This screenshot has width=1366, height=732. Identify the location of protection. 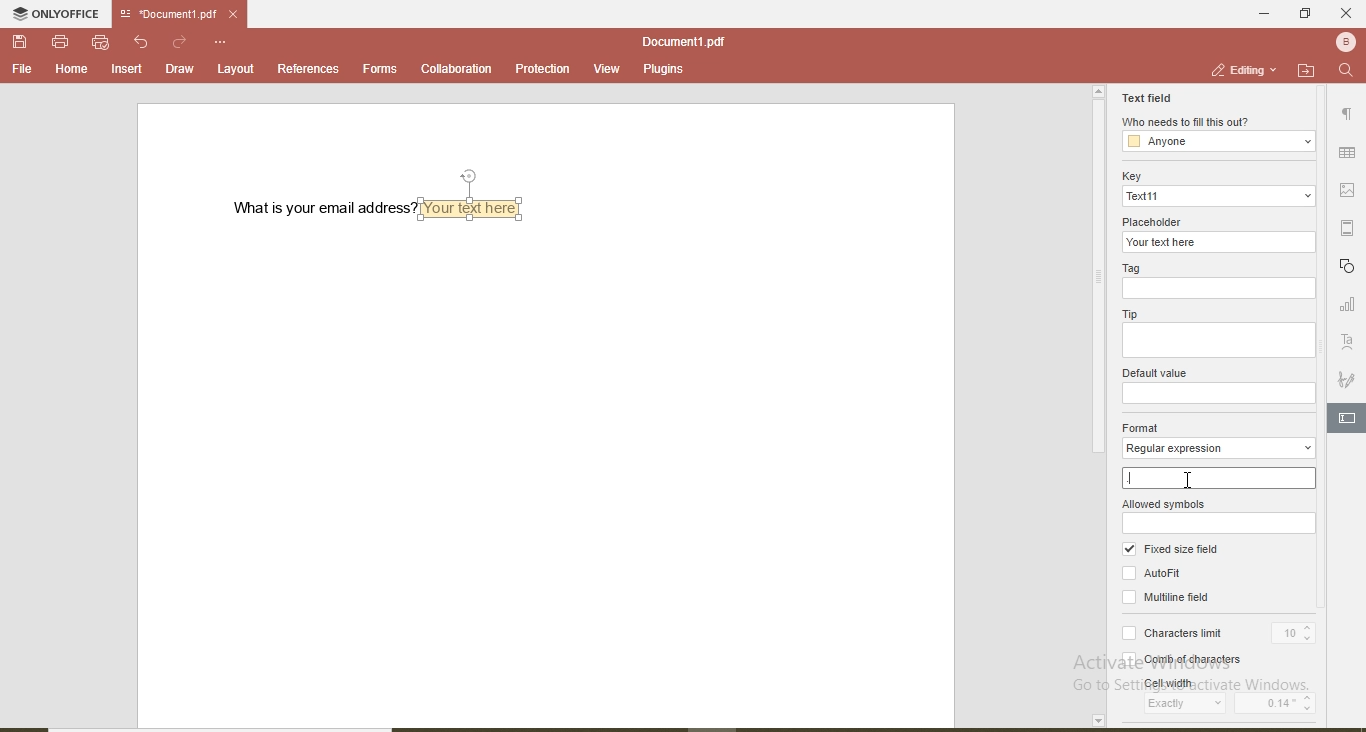
(541, 69).